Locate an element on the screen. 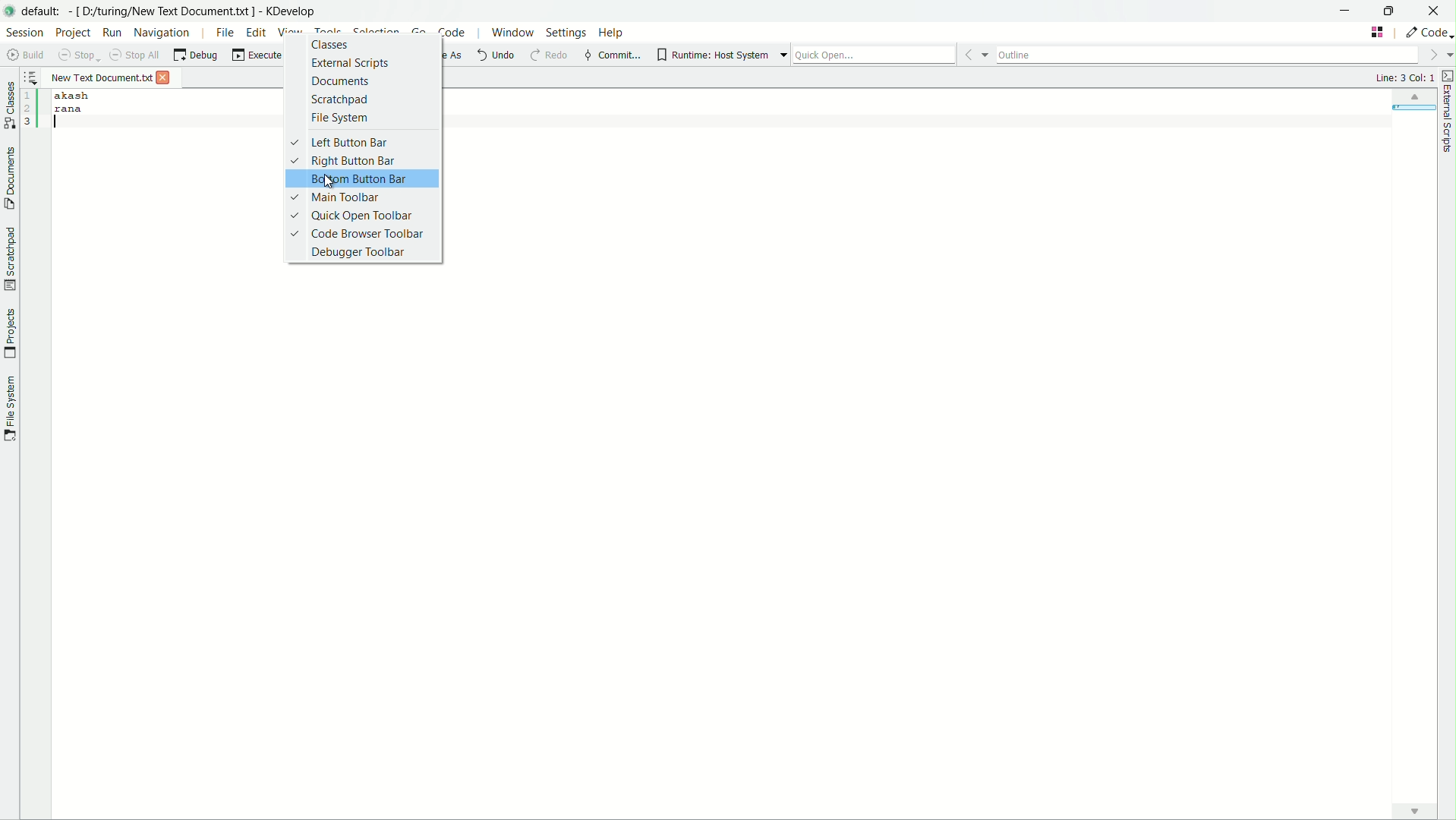 This screenshot has height=820, width=1456. outline is located at coordinates (1208, 54).